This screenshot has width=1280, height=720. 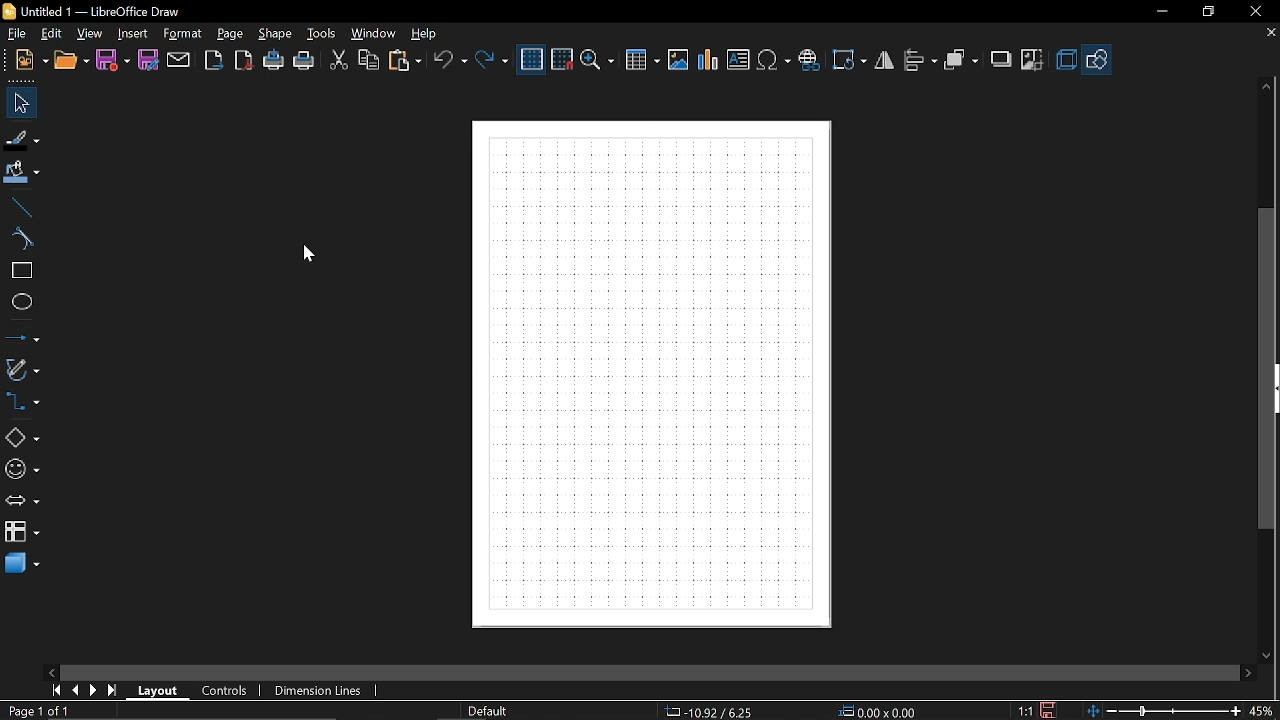 I want to click on Arrange, so click(x=961, y=61).